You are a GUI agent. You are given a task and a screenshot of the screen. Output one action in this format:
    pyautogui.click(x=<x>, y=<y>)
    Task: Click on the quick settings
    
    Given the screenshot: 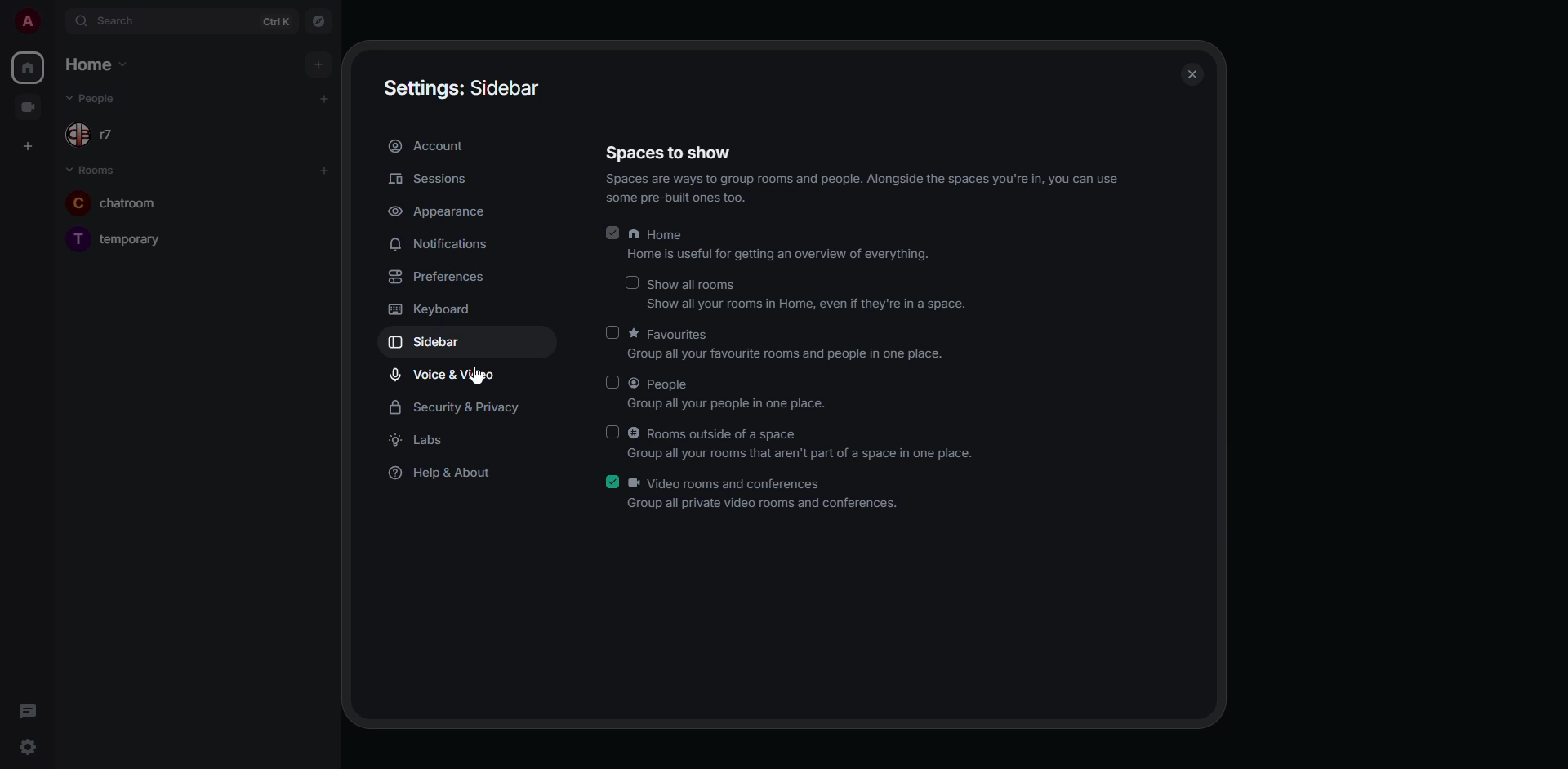 What is the action you would take?
    pyautogui.click(x=31, y=748)
    